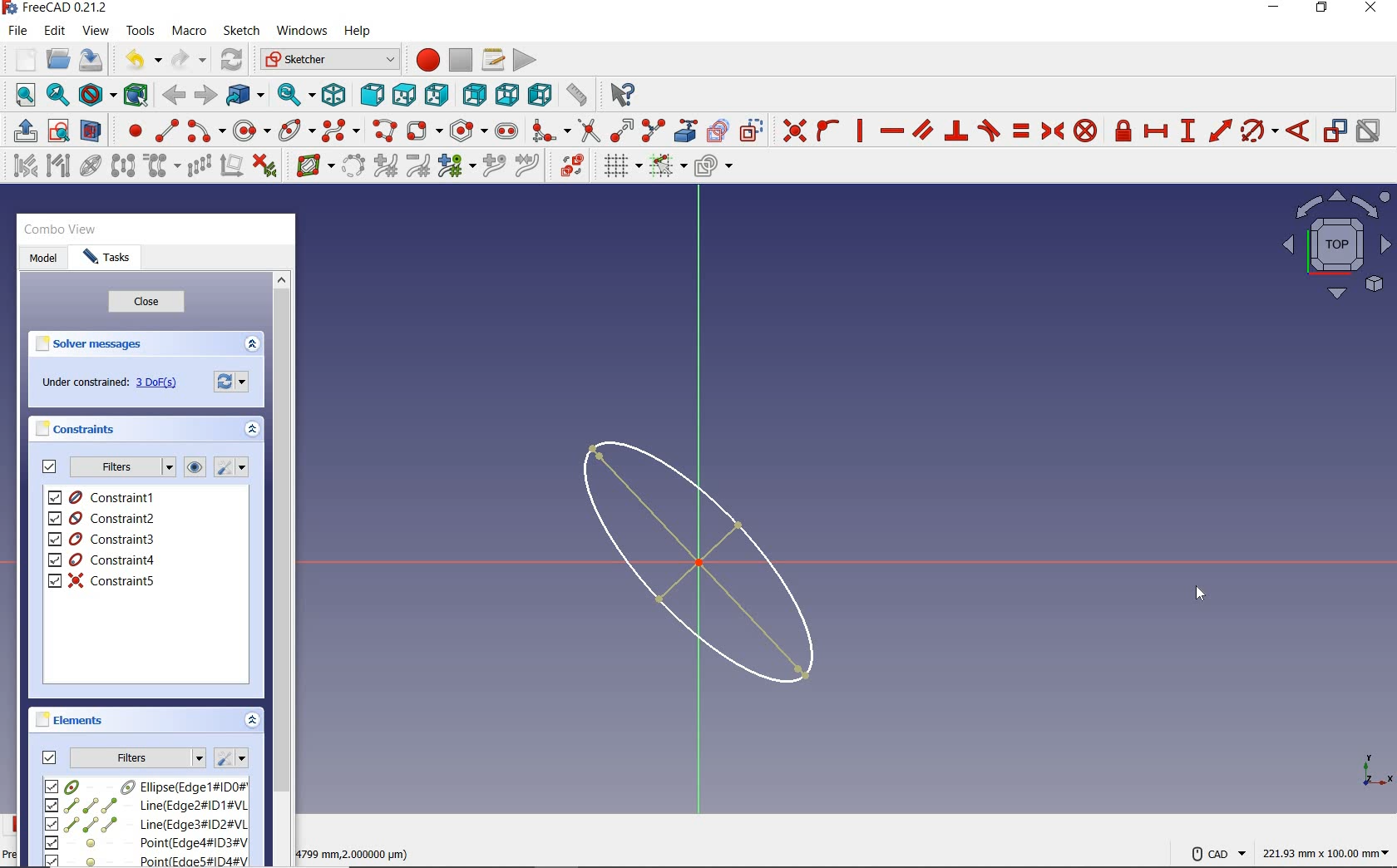 Image resolution: width=1397 pixels, height=868 pixels. I want to click on undo, so click(139, 60).